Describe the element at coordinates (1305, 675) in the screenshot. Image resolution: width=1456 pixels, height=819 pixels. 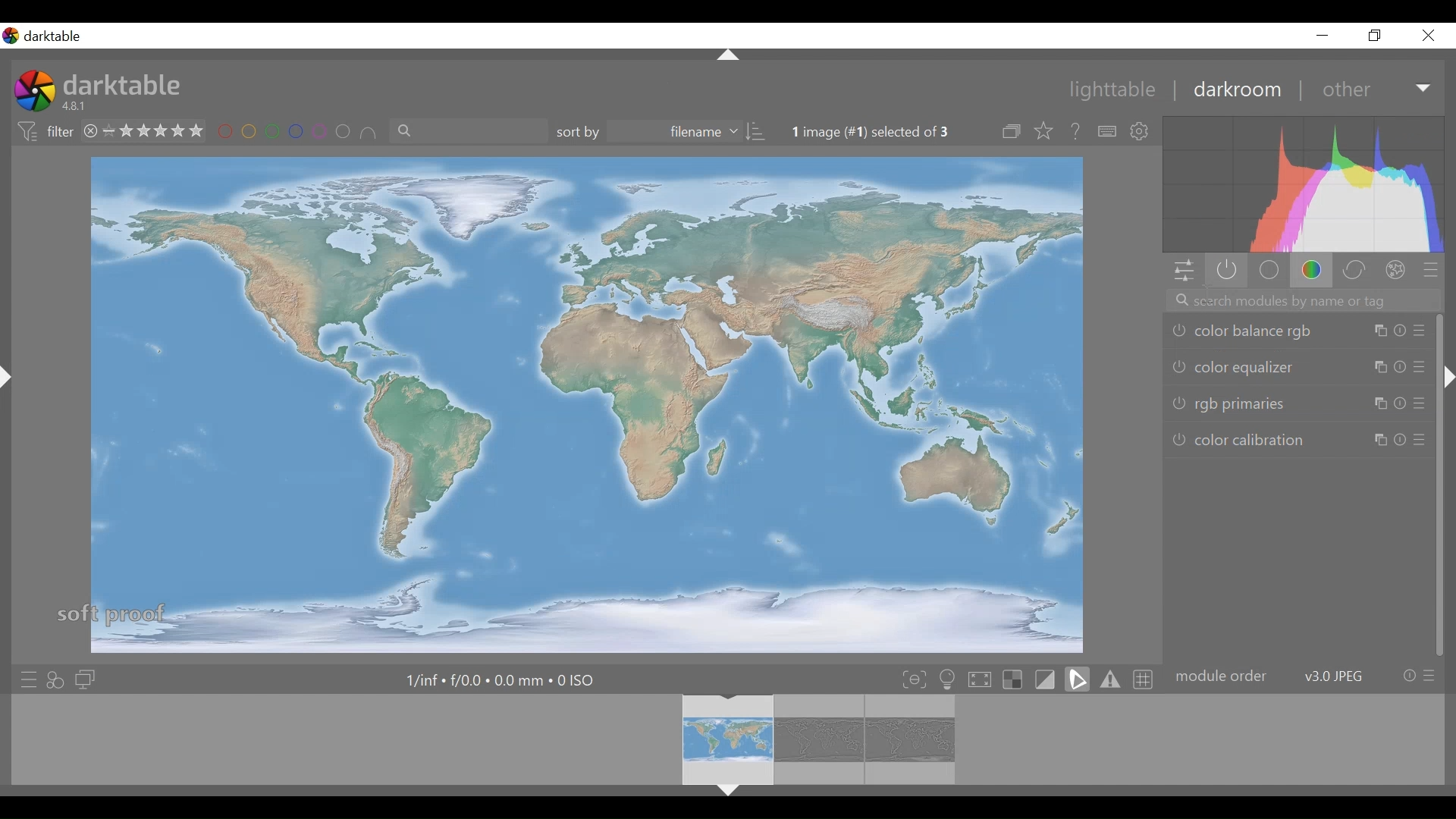
I see `module order` at that location.